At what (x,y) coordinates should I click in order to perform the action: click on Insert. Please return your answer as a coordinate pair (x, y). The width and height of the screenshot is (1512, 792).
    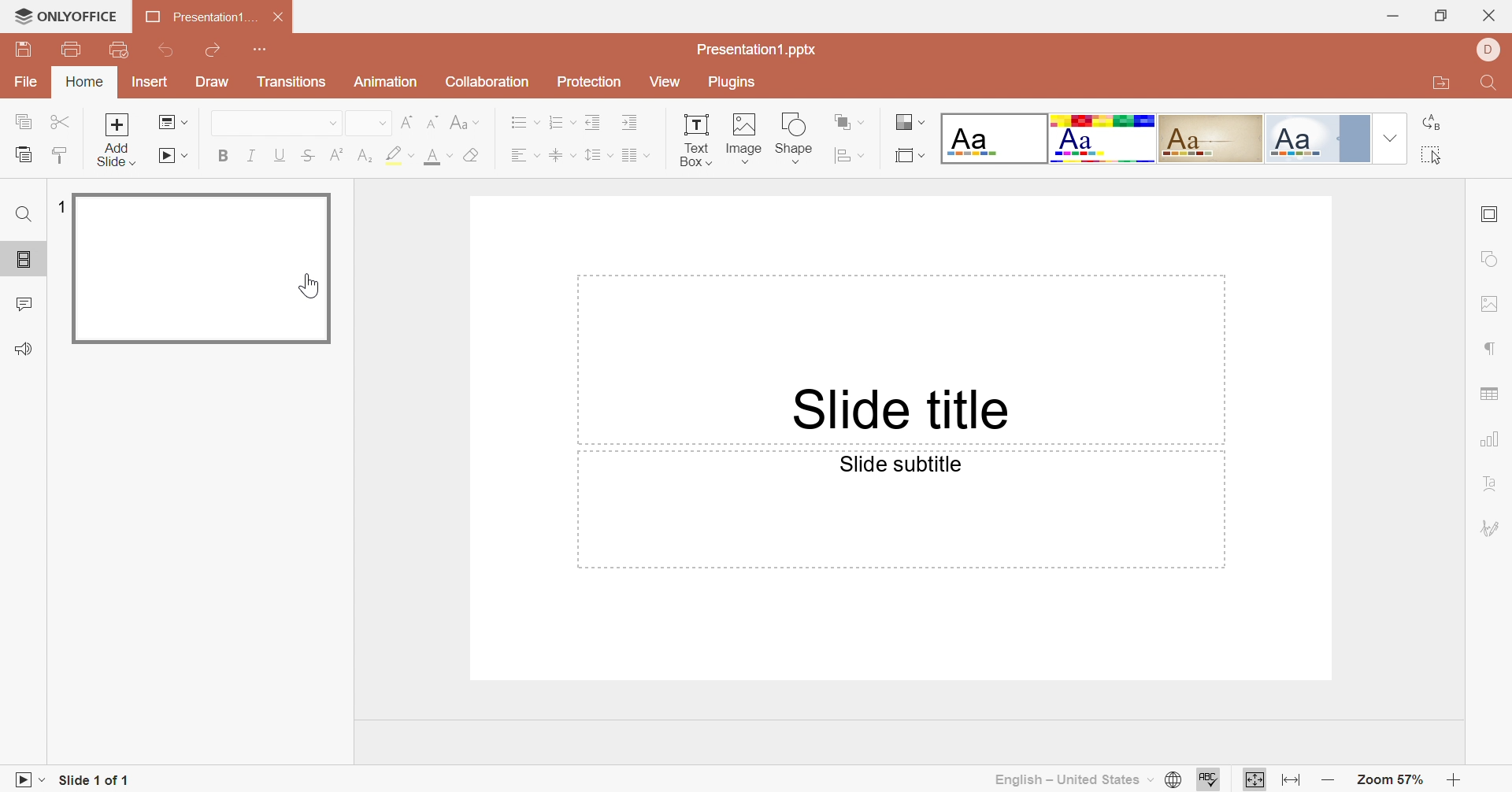
    Looking at the image, I should click on (150, 83).